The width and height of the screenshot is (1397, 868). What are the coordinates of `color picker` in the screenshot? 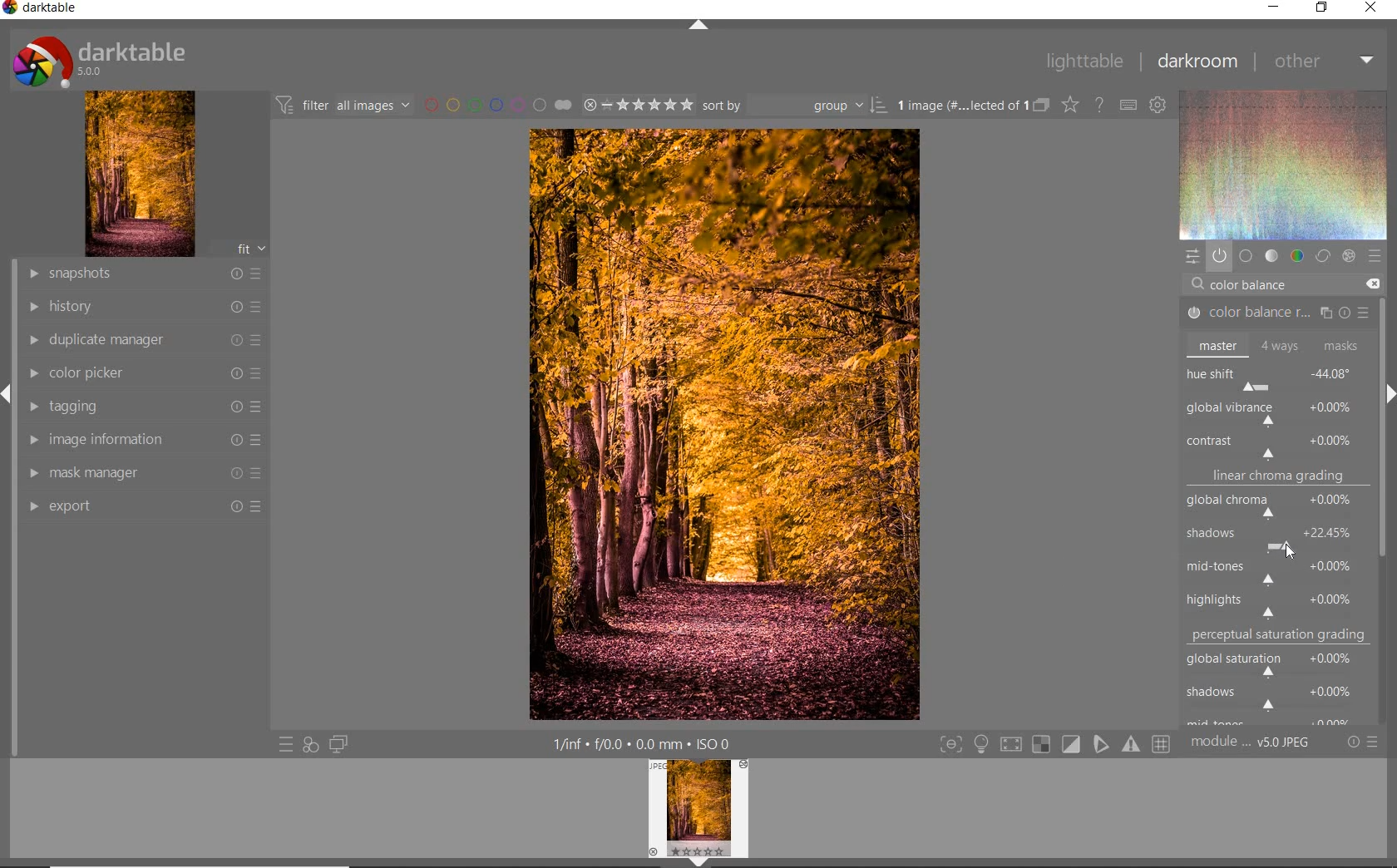 It's located at (144, 374).